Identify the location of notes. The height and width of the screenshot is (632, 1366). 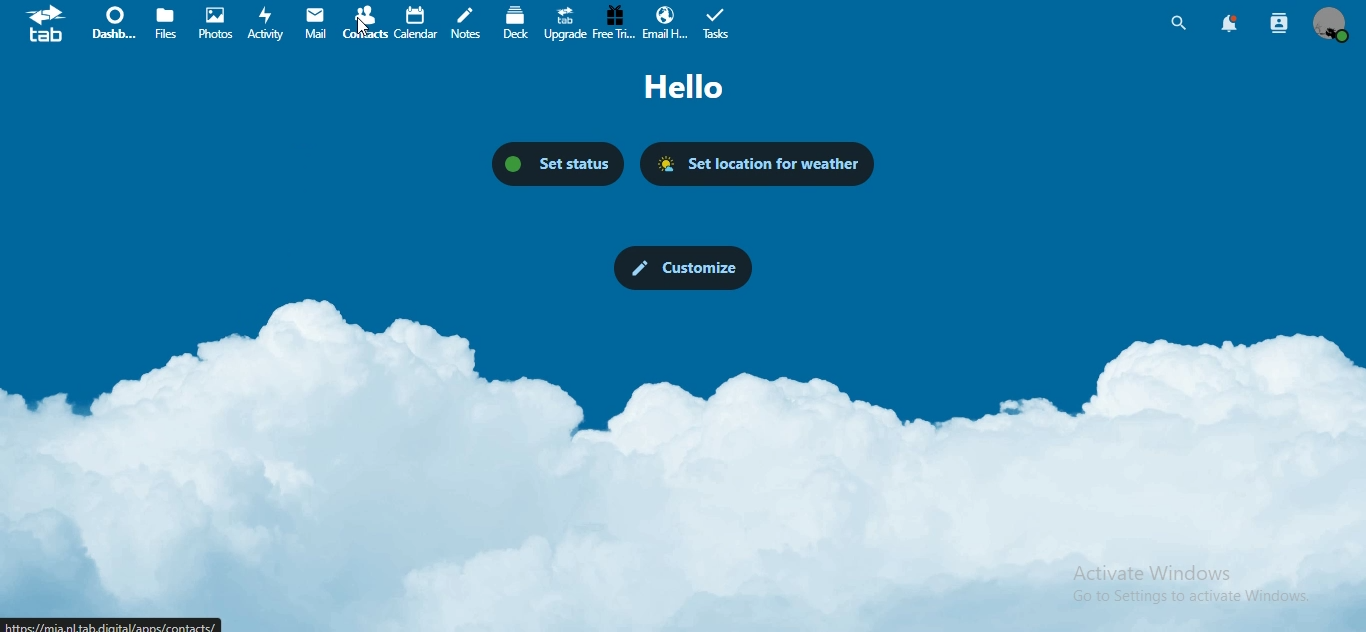
(465, 23).